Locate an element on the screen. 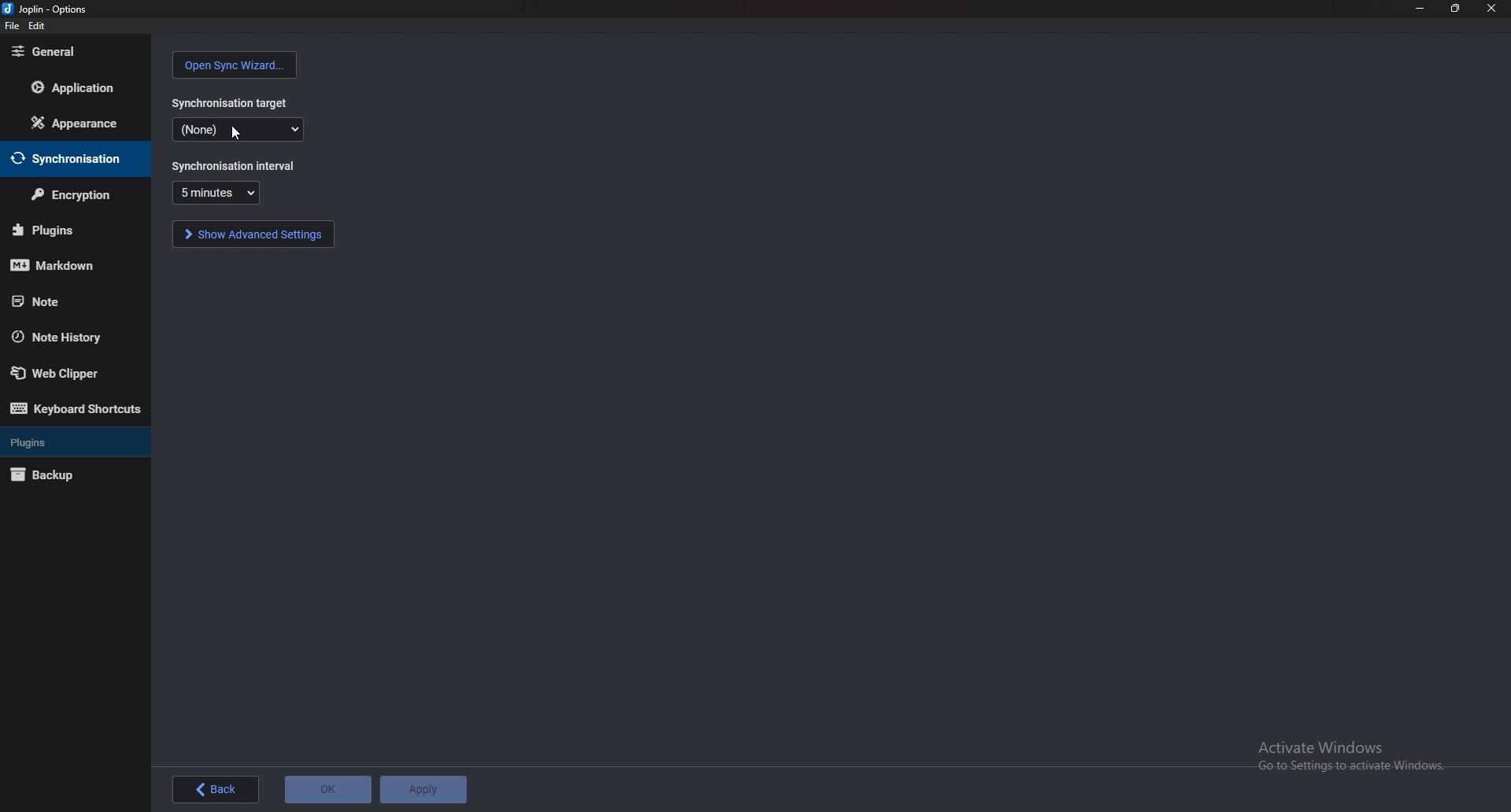 Image resolution: width=1511 pixels, height=812 pixels. Synchronization target is located at coordinates (229, 102).